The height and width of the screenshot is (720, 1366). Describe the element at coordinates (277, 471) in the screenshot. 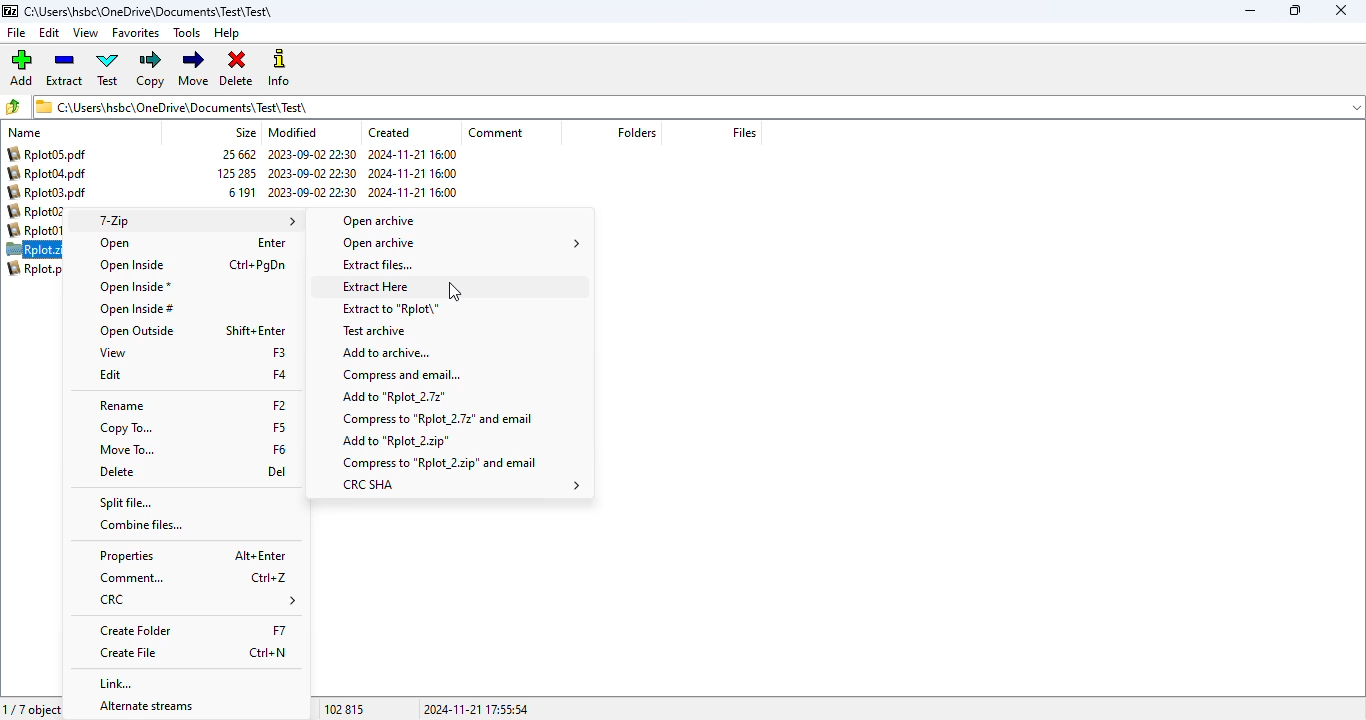

I see `Del` at that location.